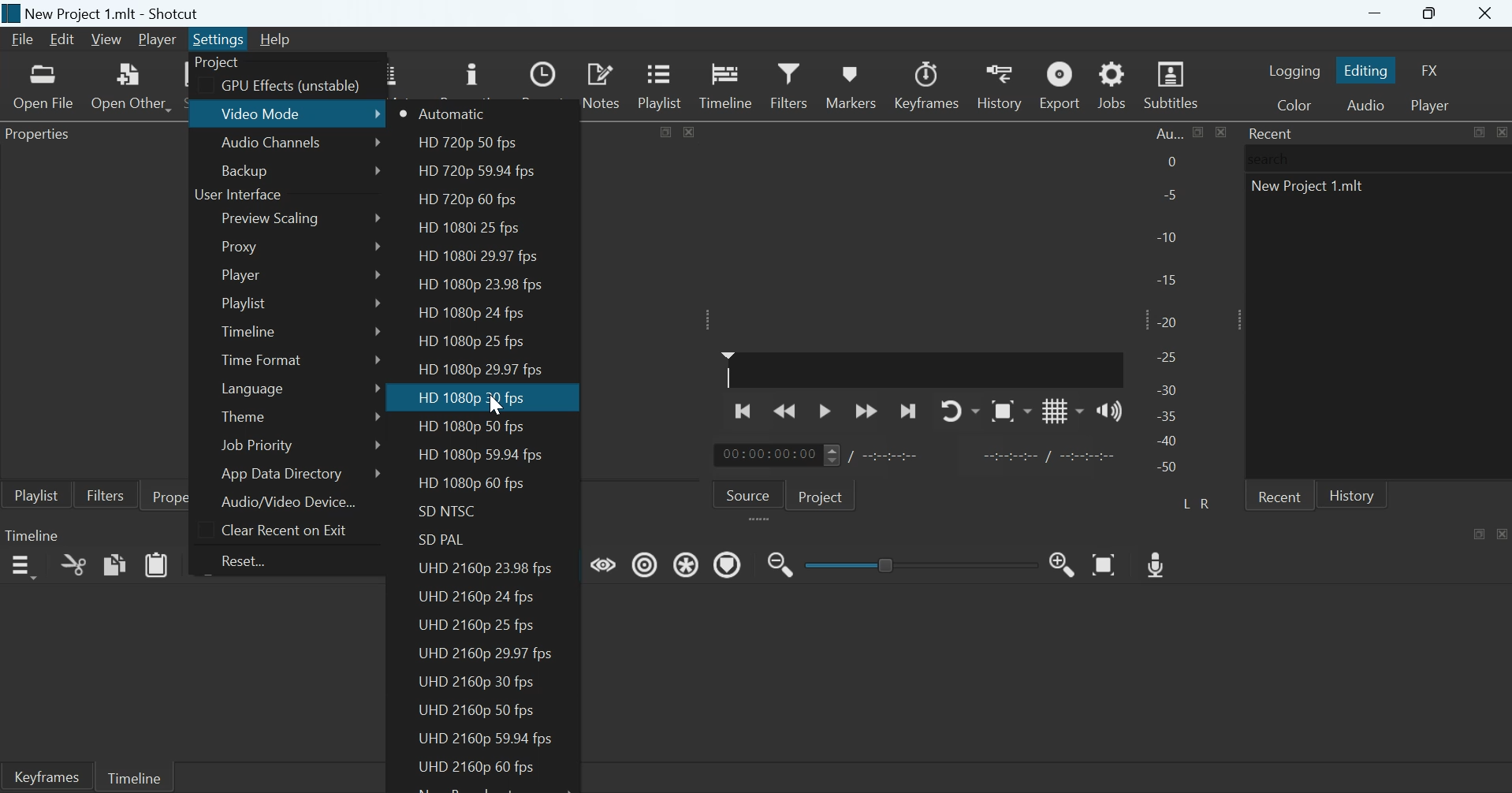  I want to click on Automatic, so click(454, 114).